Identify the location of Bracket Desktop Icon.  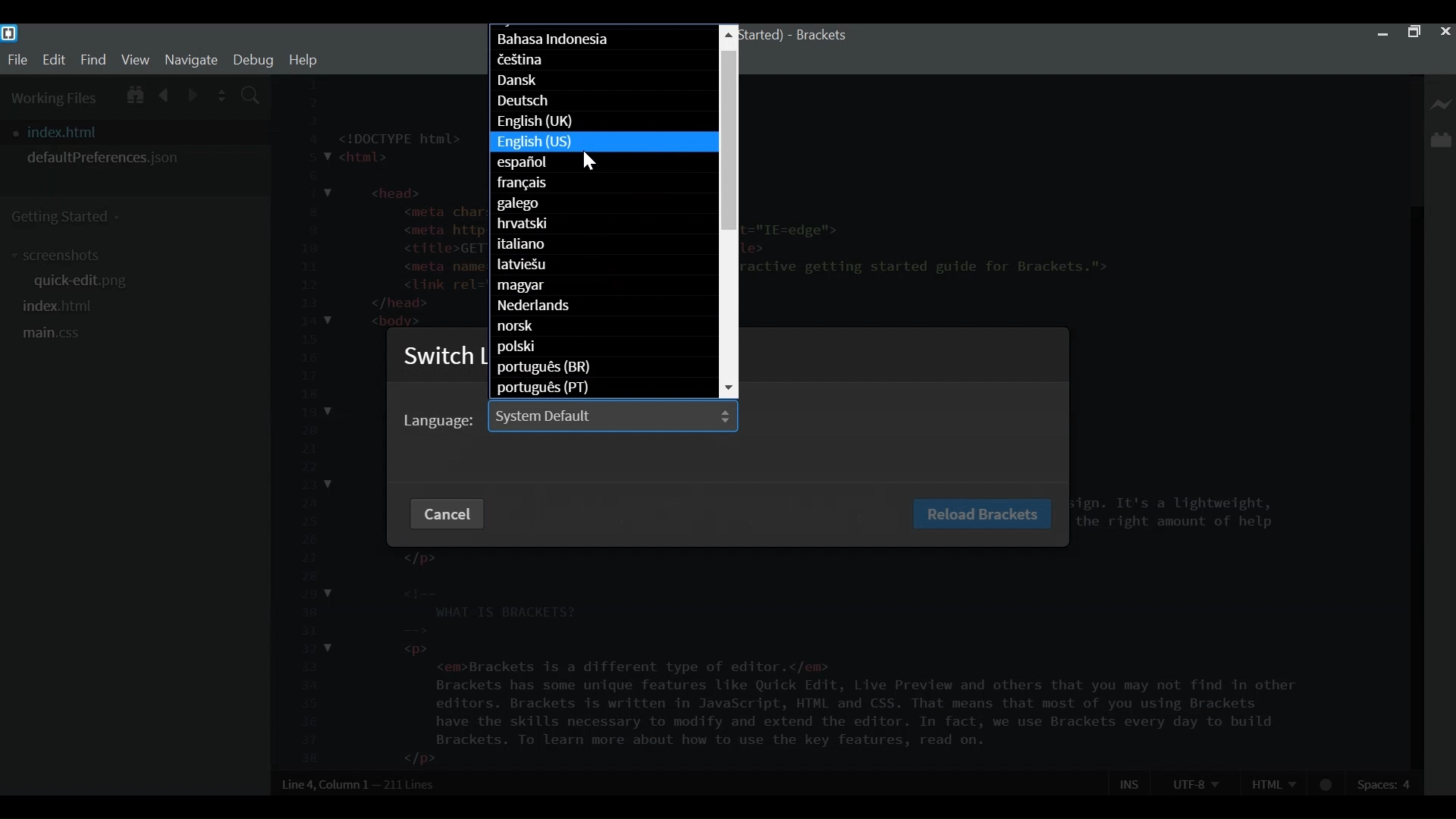
(9, 33).